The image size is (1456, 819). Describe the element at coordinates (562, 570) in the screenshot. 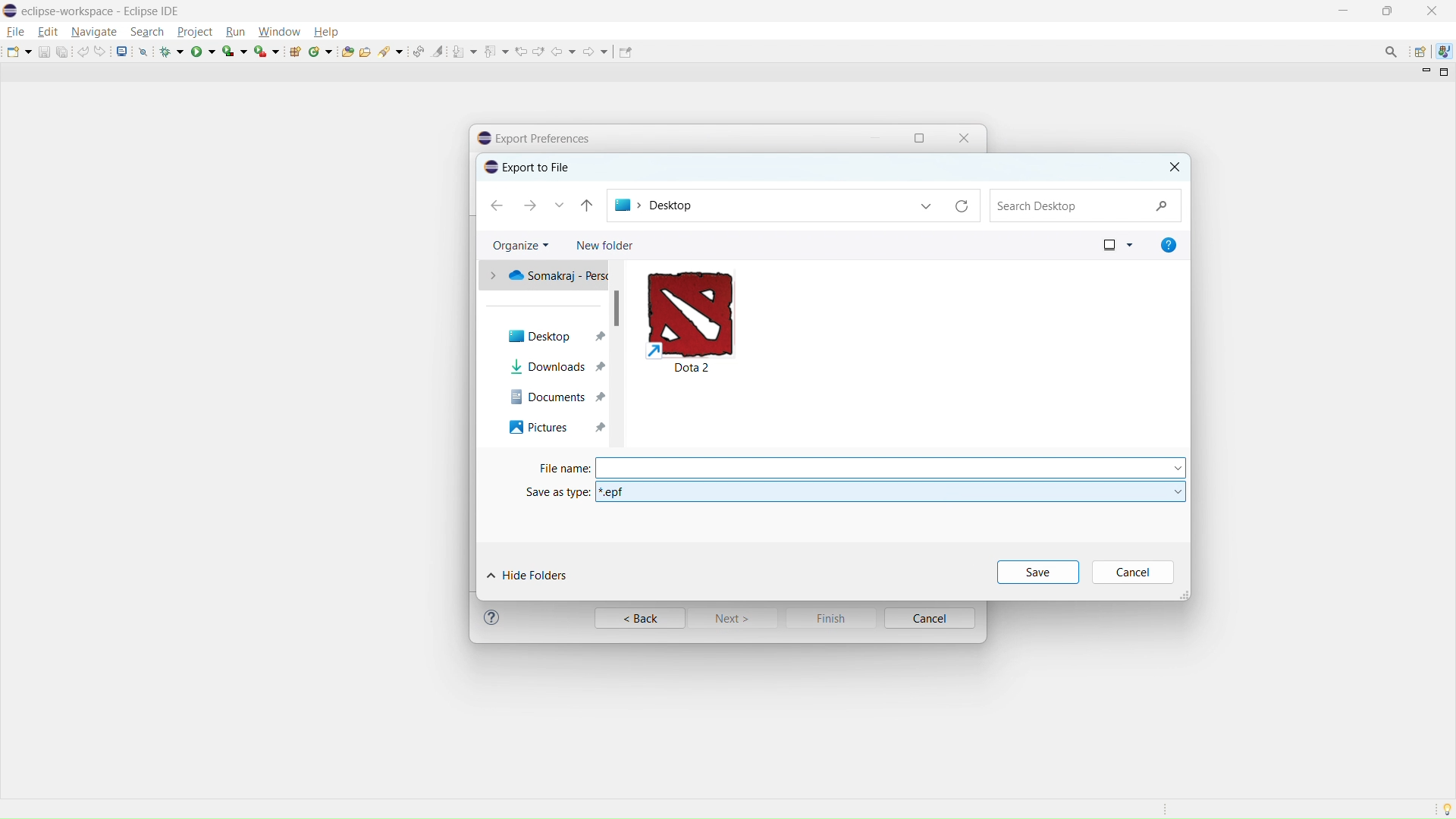

I see `Hide folders` at that location.